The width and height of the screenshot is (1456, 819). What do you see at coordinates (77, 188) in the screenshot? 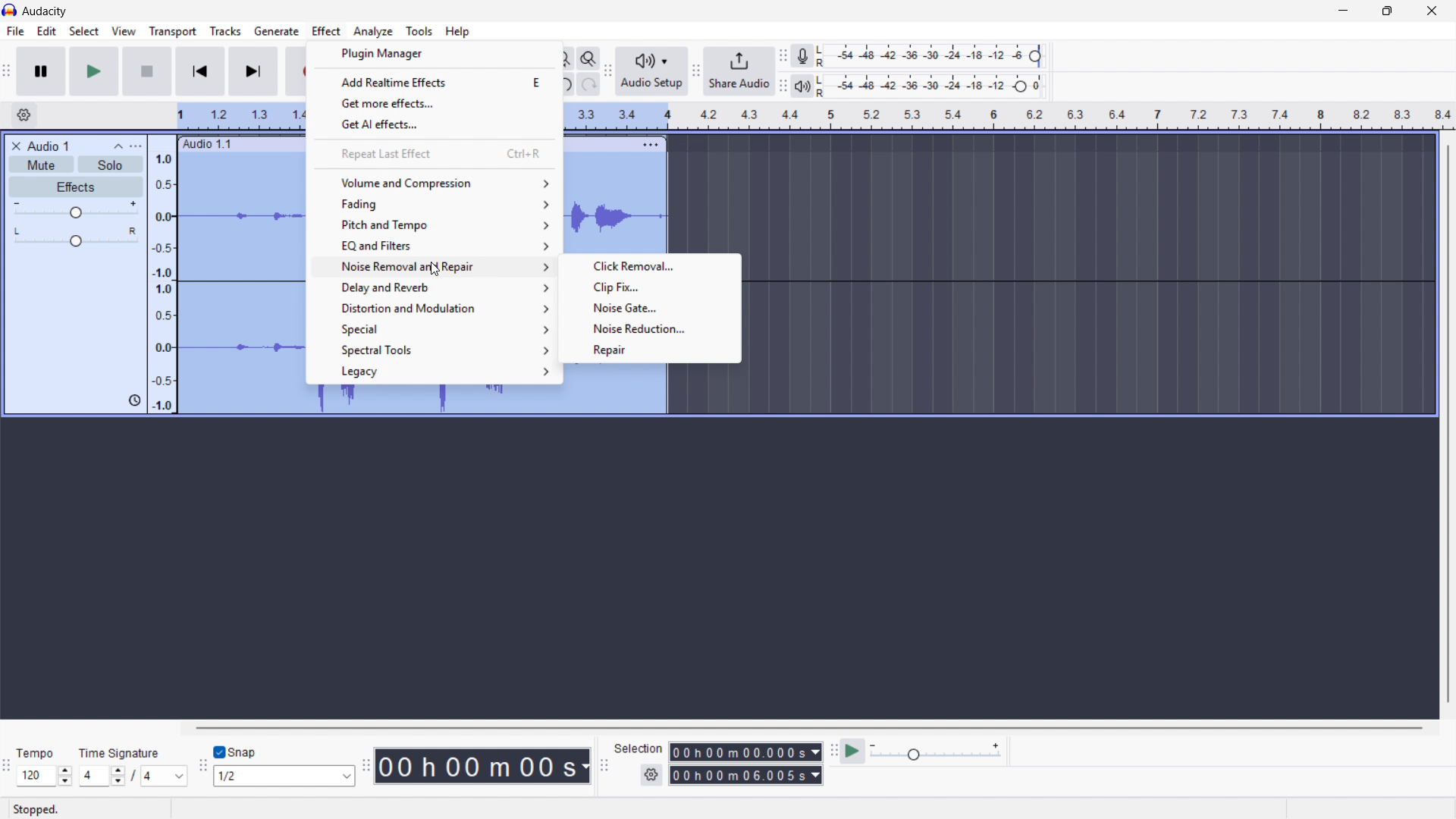
I see `Effects` at bounding box center [77, 188].